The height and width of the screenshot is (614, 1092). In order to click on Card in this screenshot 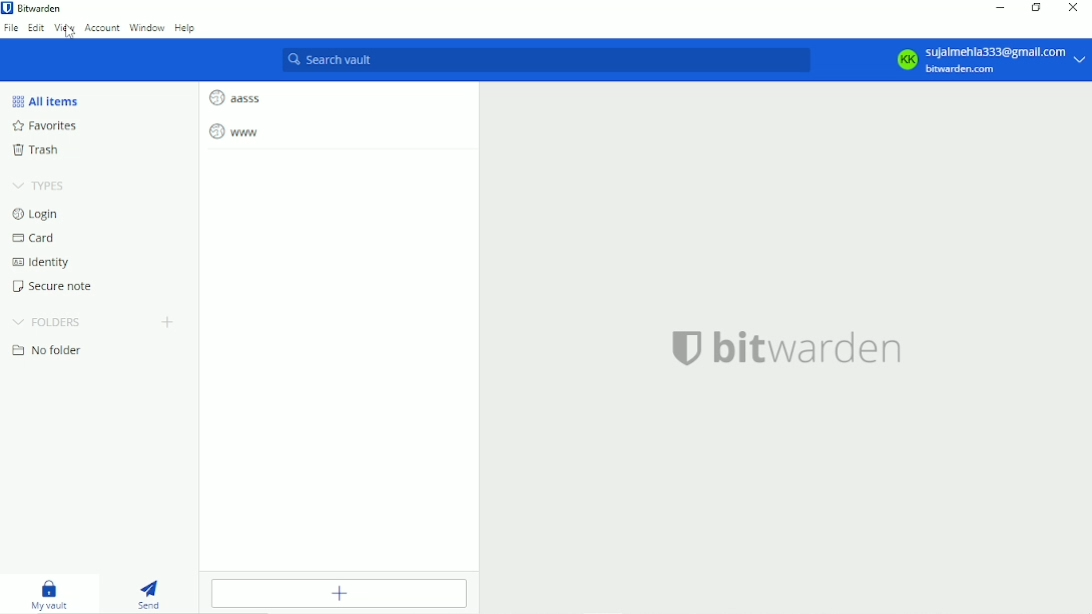, I will do `click(36, 236)`.